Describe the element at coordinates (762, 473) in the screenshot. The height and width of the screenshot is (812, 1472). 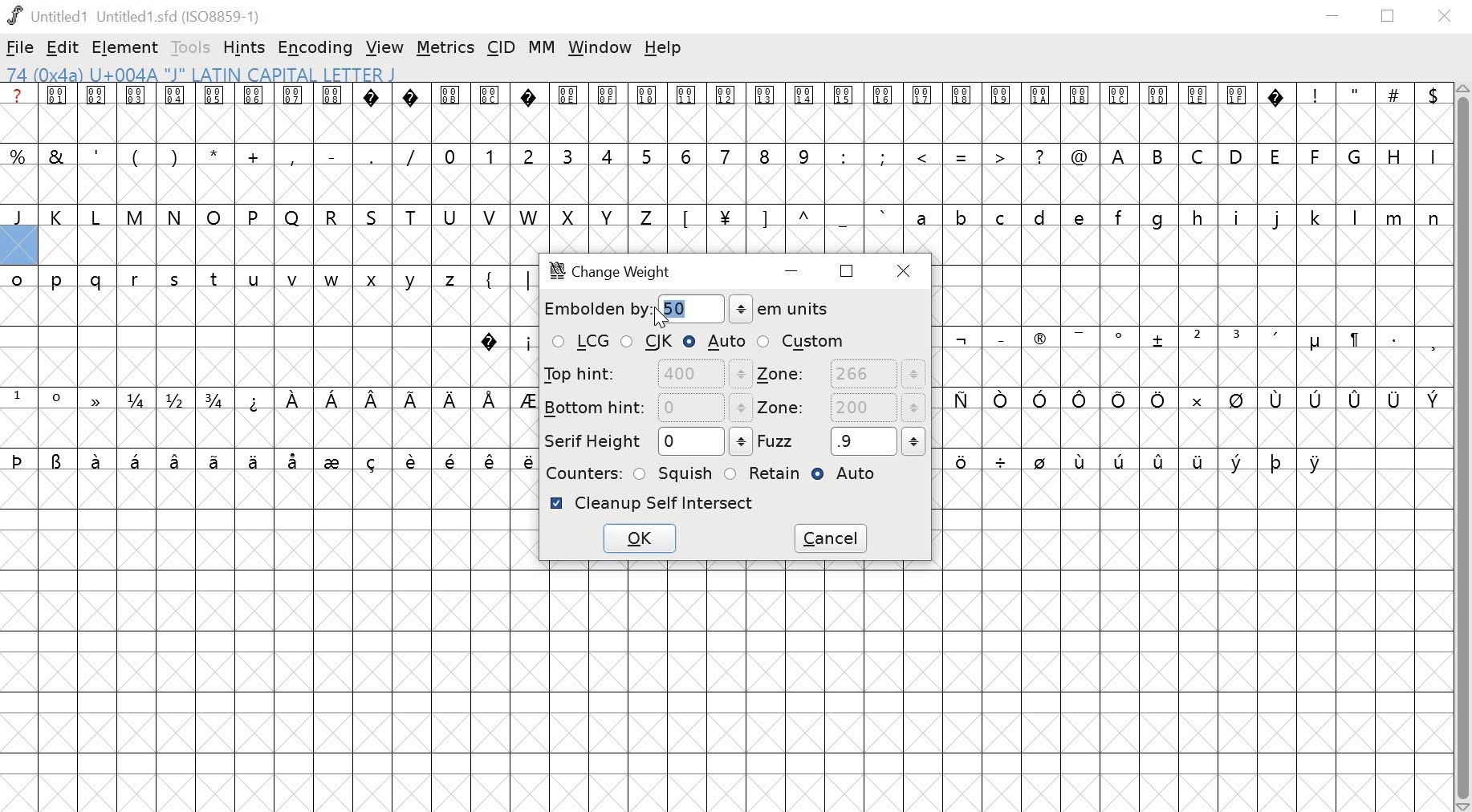
I see `RETAIN` at that location.